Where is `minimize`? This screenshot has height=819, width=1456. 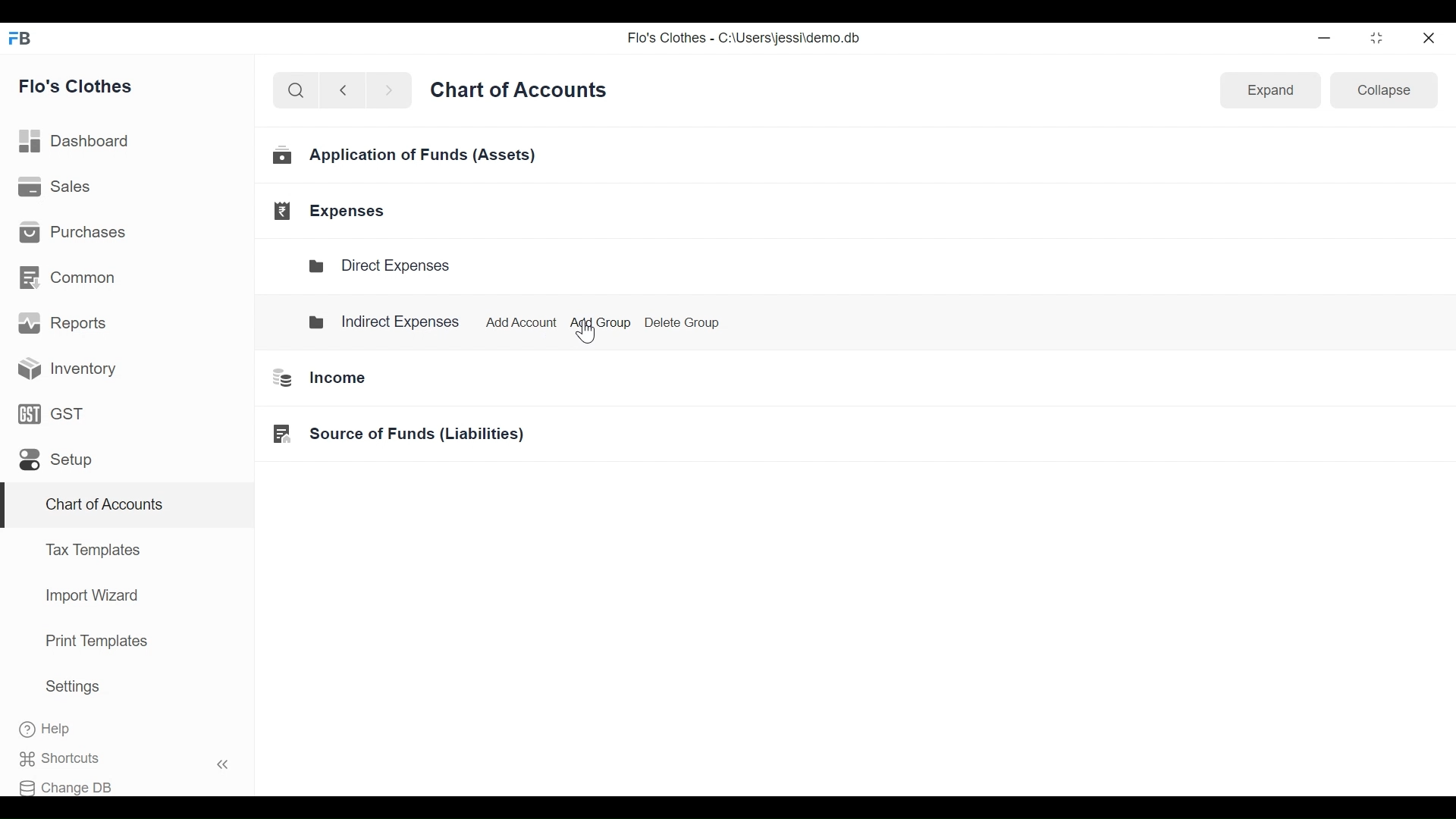
minimize is located at coordinates (1327, 38).